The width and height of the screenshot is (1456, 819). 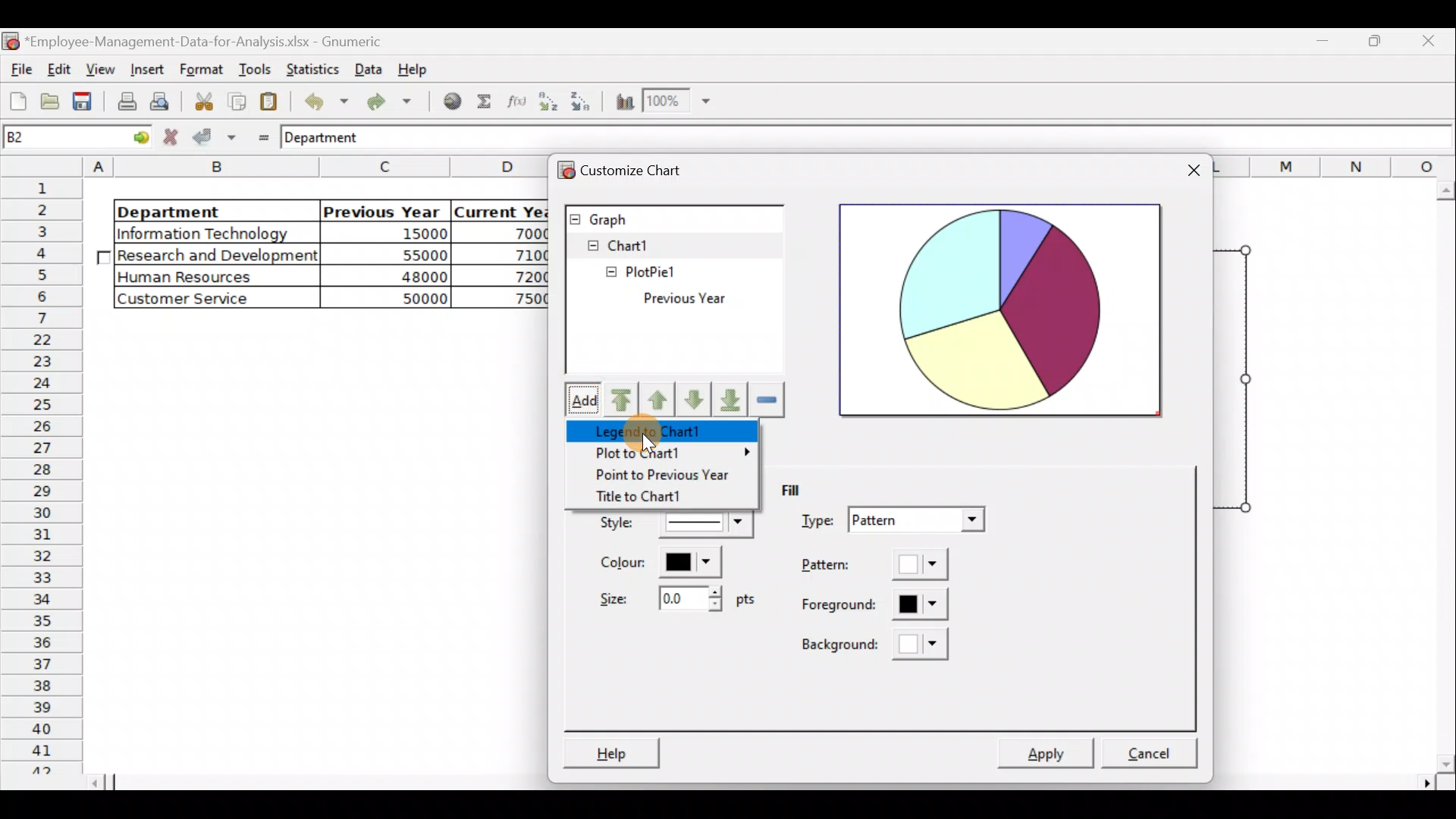 I want to click on go to, so click(x=132, y=139).